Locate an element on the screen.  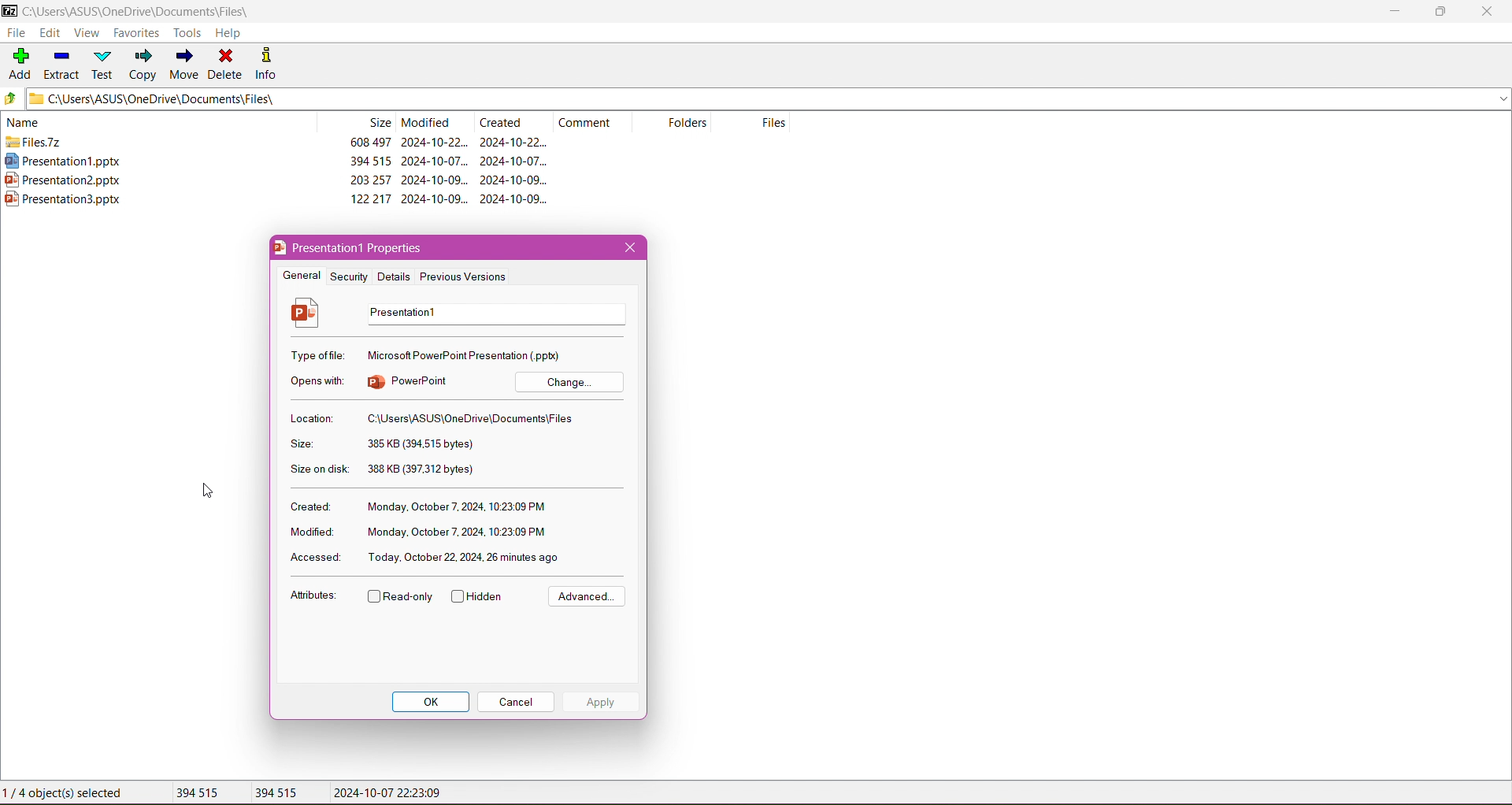
Created: is located at coordinates (309, 507).